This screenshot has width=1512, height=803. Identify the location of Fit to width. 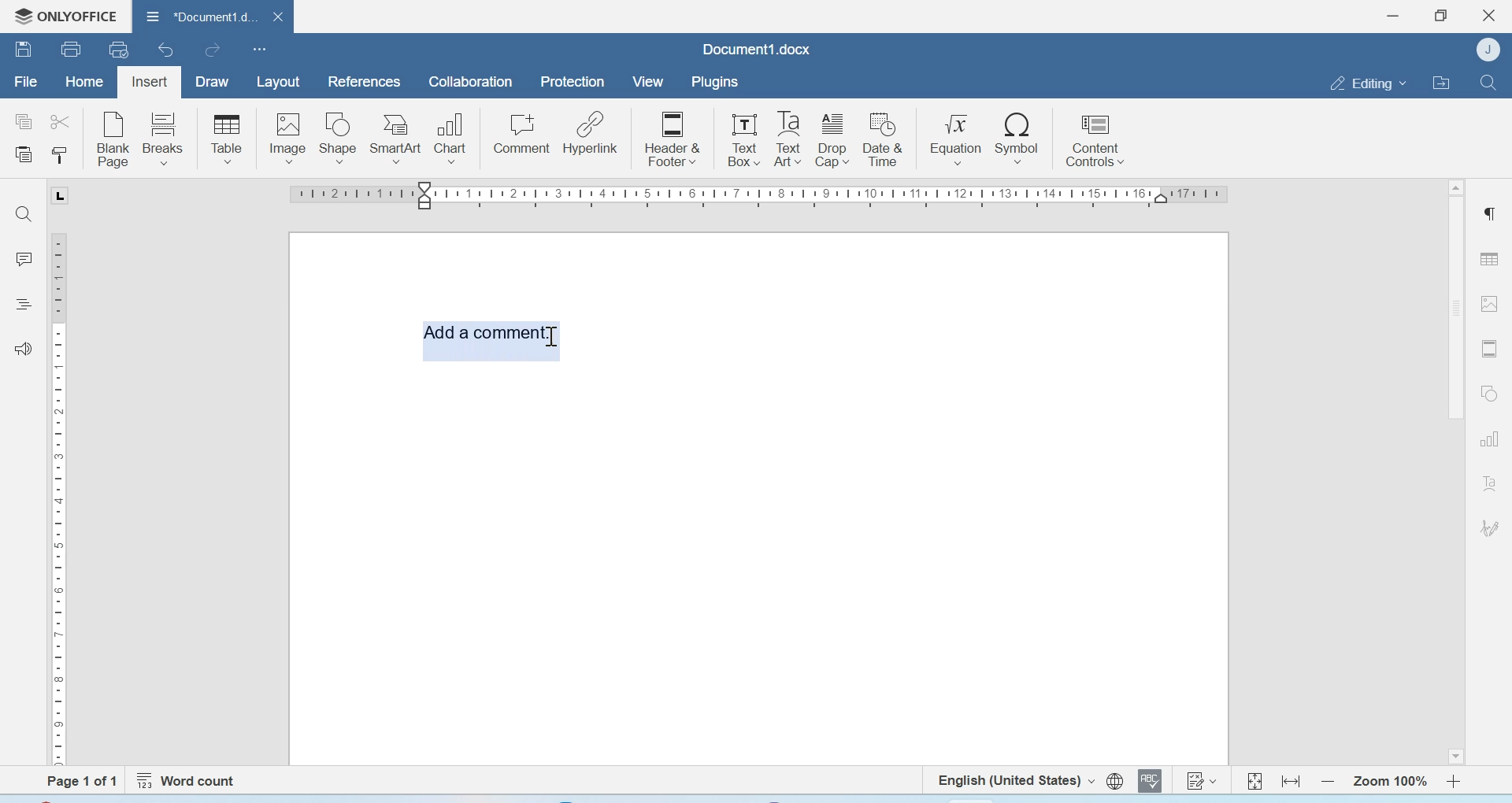
(1292, 781).